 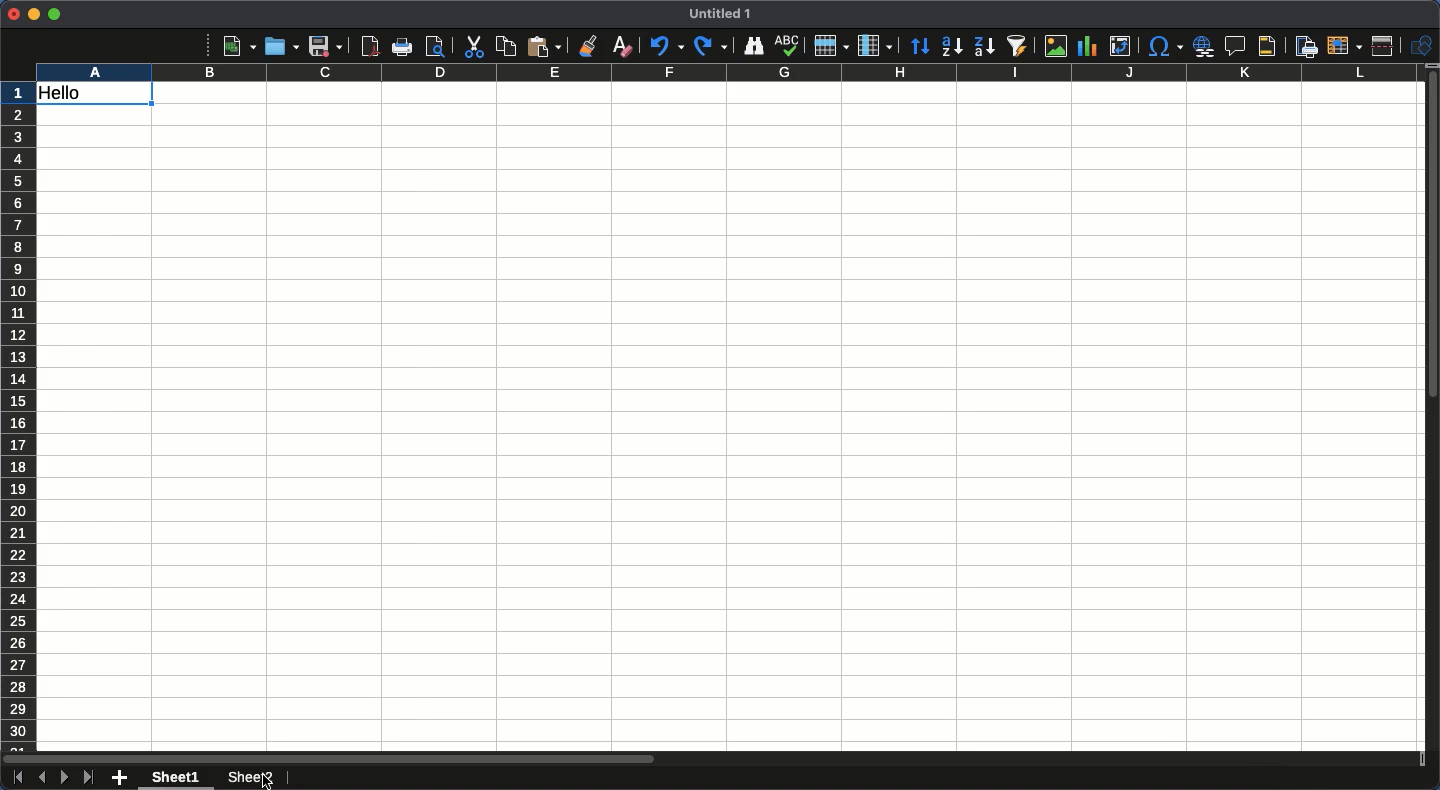 What do you see at coordinates (239, 45) in the screenshot?
I see `New` at bounding box center [239, 45].